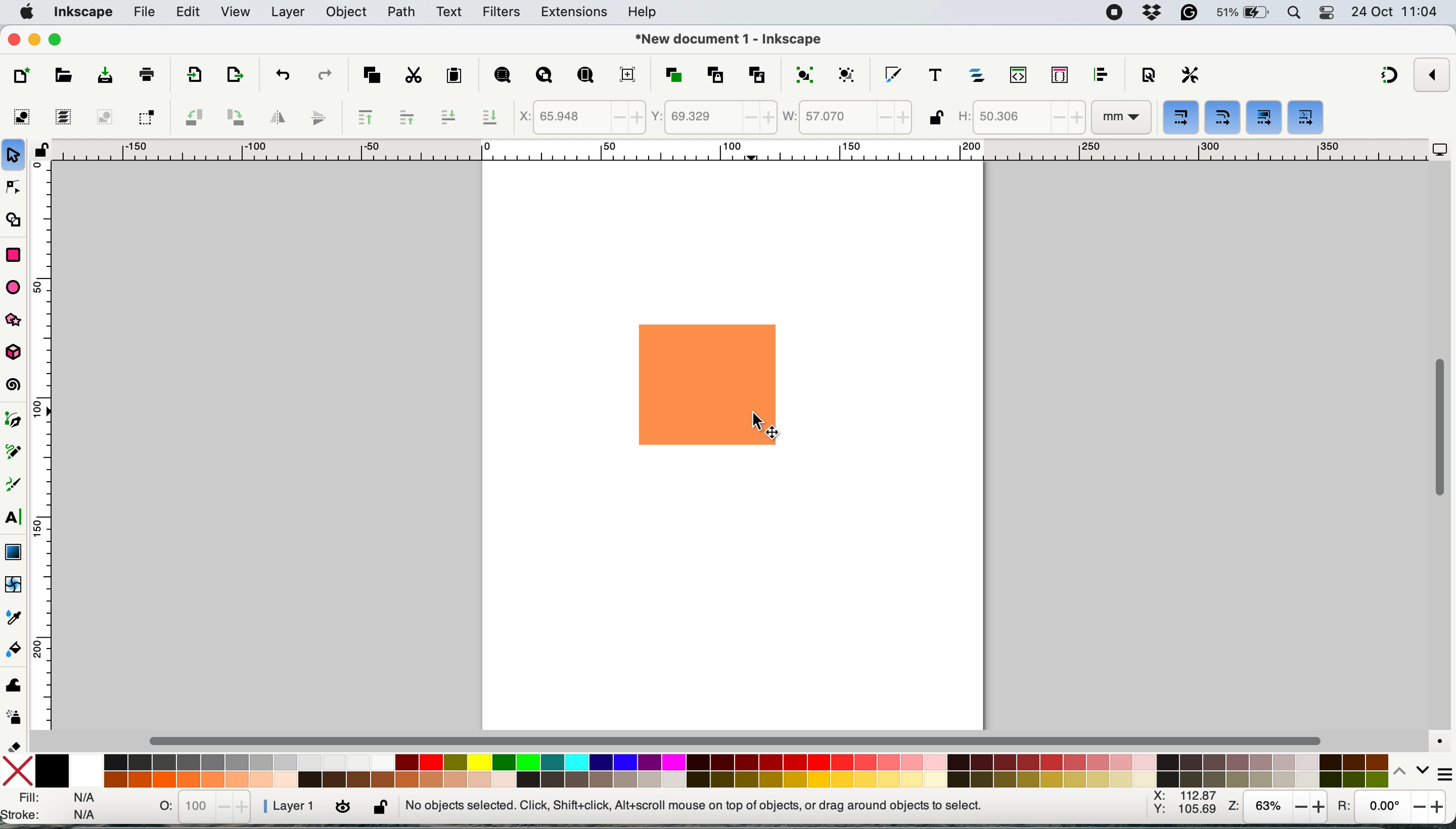  Describe the element at coordinates (1404, 770) in the screenshot. I see `switch between colors` at that location.